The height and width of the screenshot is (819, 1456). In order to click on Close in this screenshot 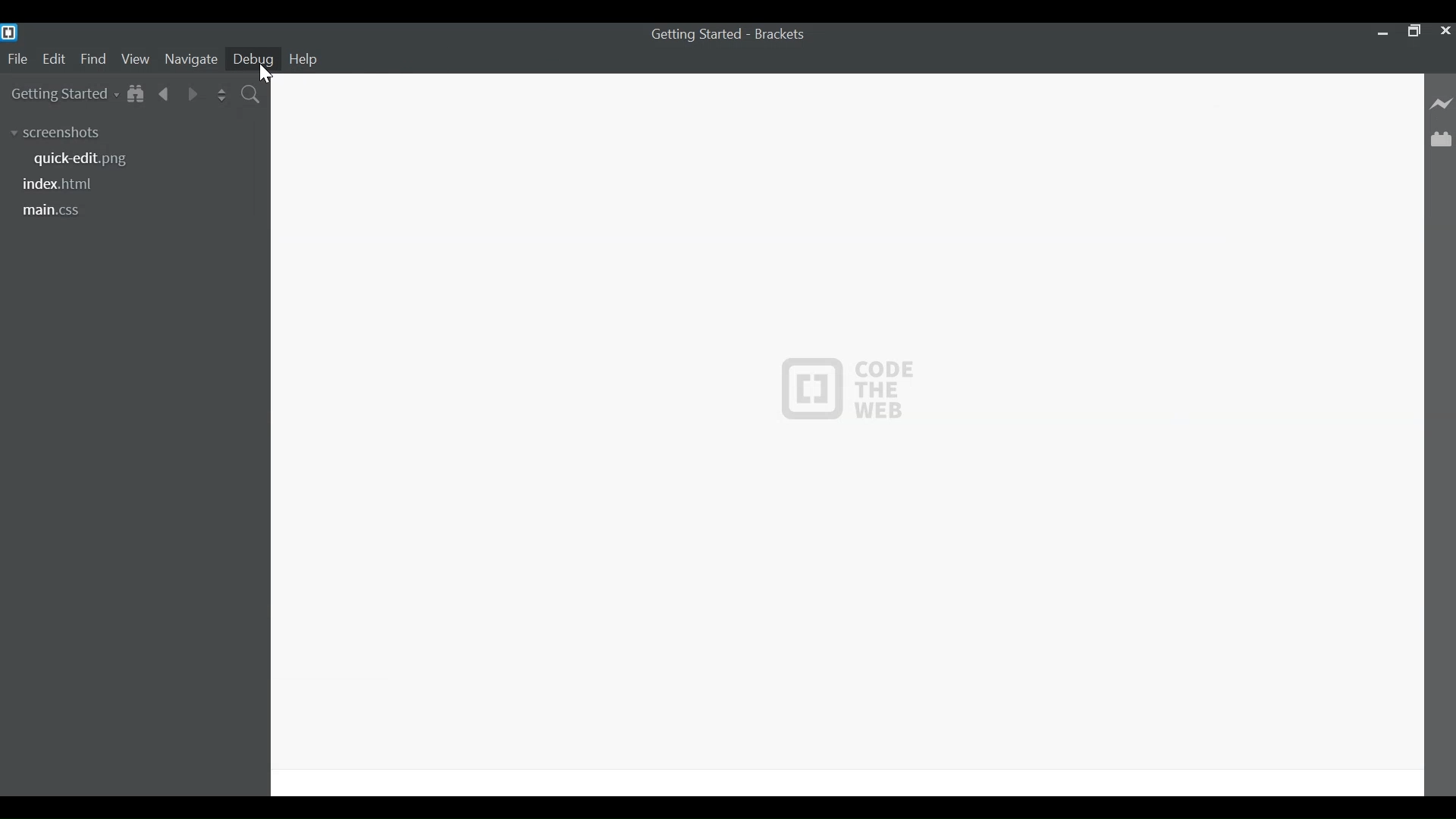, I will do `click(1445, 33)`.